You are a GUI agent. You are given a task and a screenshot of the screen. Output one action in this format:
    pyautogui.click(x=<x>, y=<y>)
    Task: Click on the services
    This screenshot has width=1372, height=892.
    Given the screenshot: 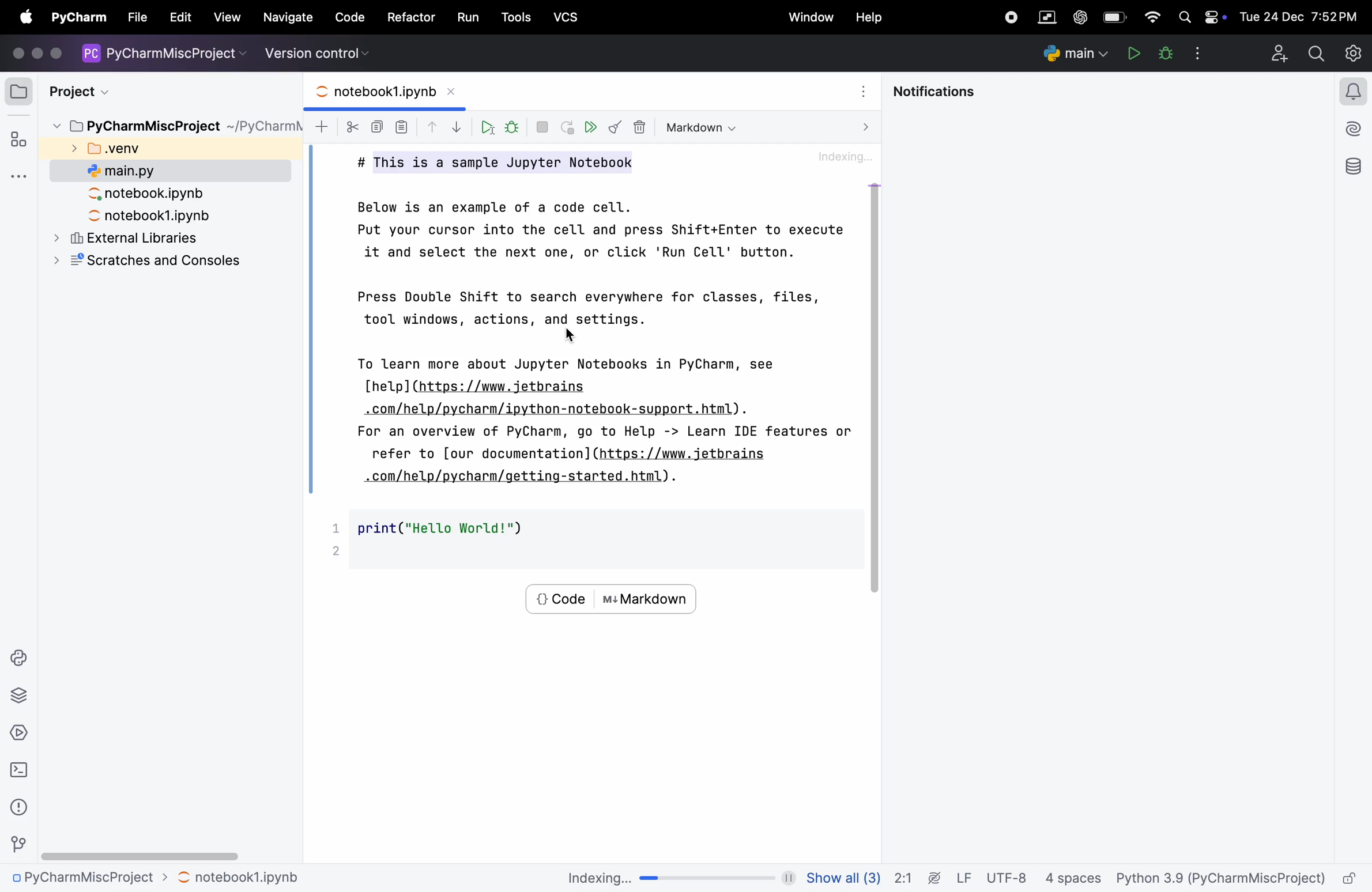 What is the action you would take?
    pyautogui.click(x=22, y=732)
    